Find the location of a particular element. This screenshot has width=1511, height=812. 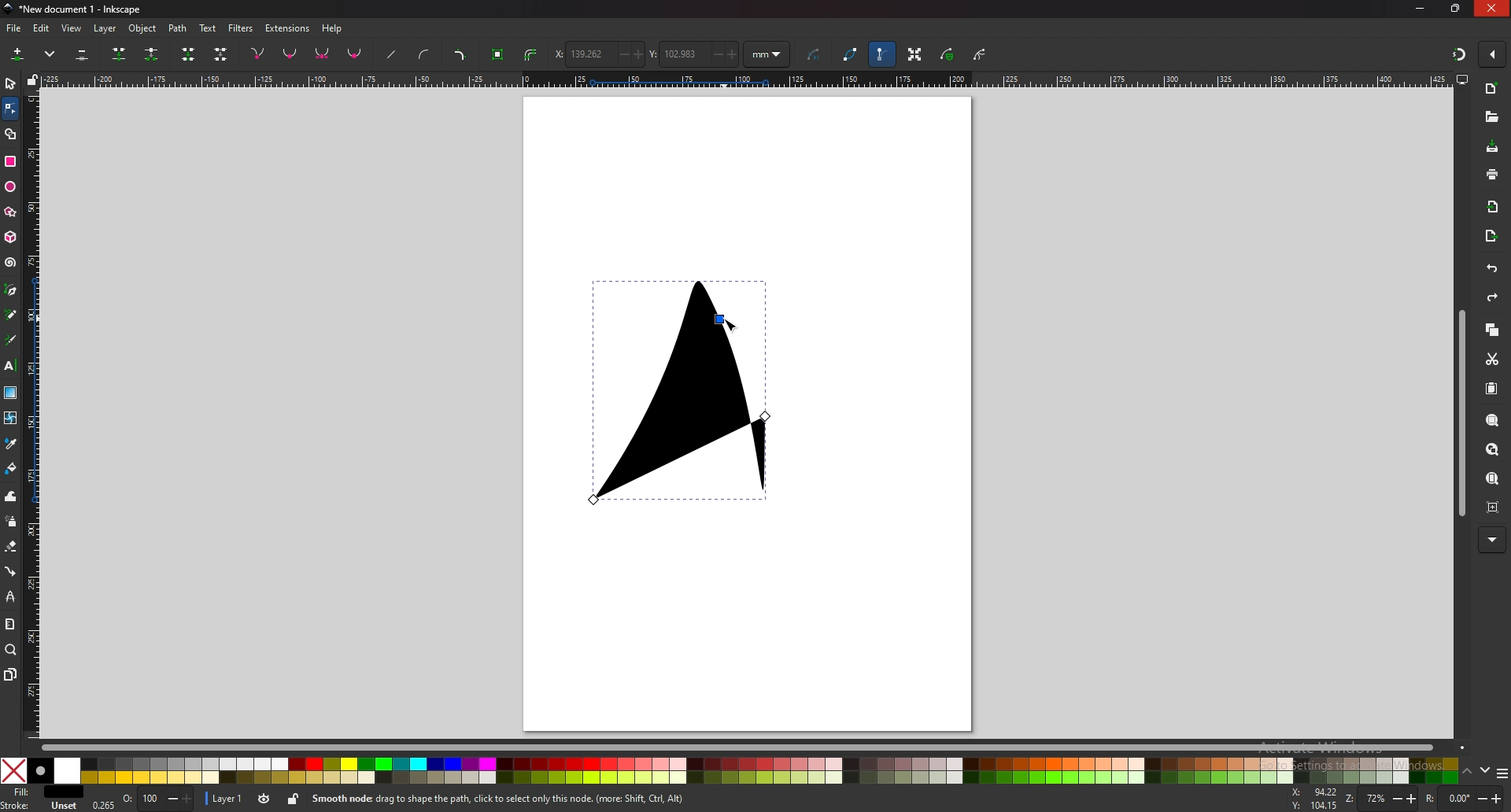

pencil is located at coordinates (13, 315).